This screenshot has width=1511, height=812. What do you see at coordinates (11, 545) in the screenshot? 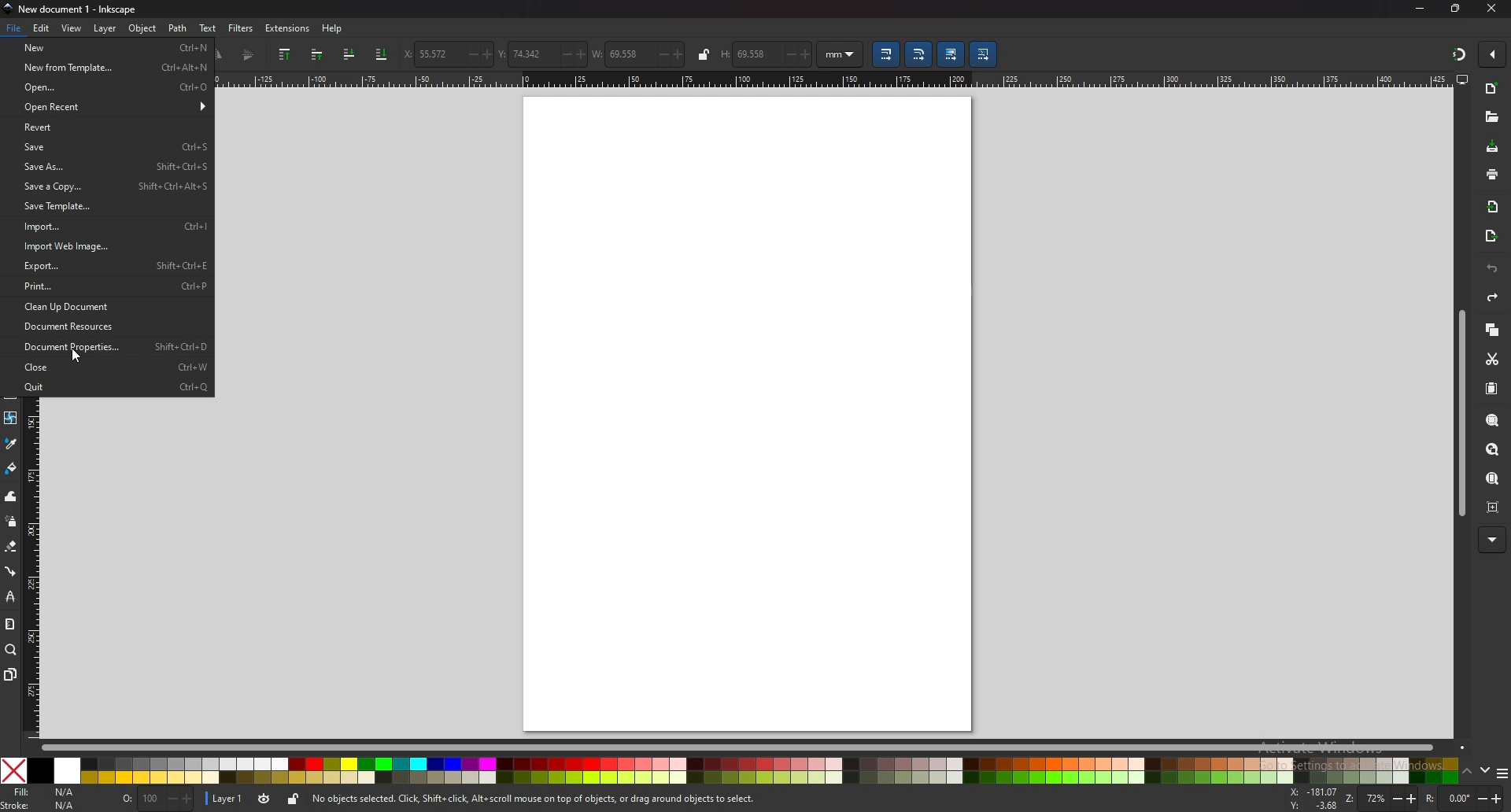
I see `erase` at bounding box center [11, 545].